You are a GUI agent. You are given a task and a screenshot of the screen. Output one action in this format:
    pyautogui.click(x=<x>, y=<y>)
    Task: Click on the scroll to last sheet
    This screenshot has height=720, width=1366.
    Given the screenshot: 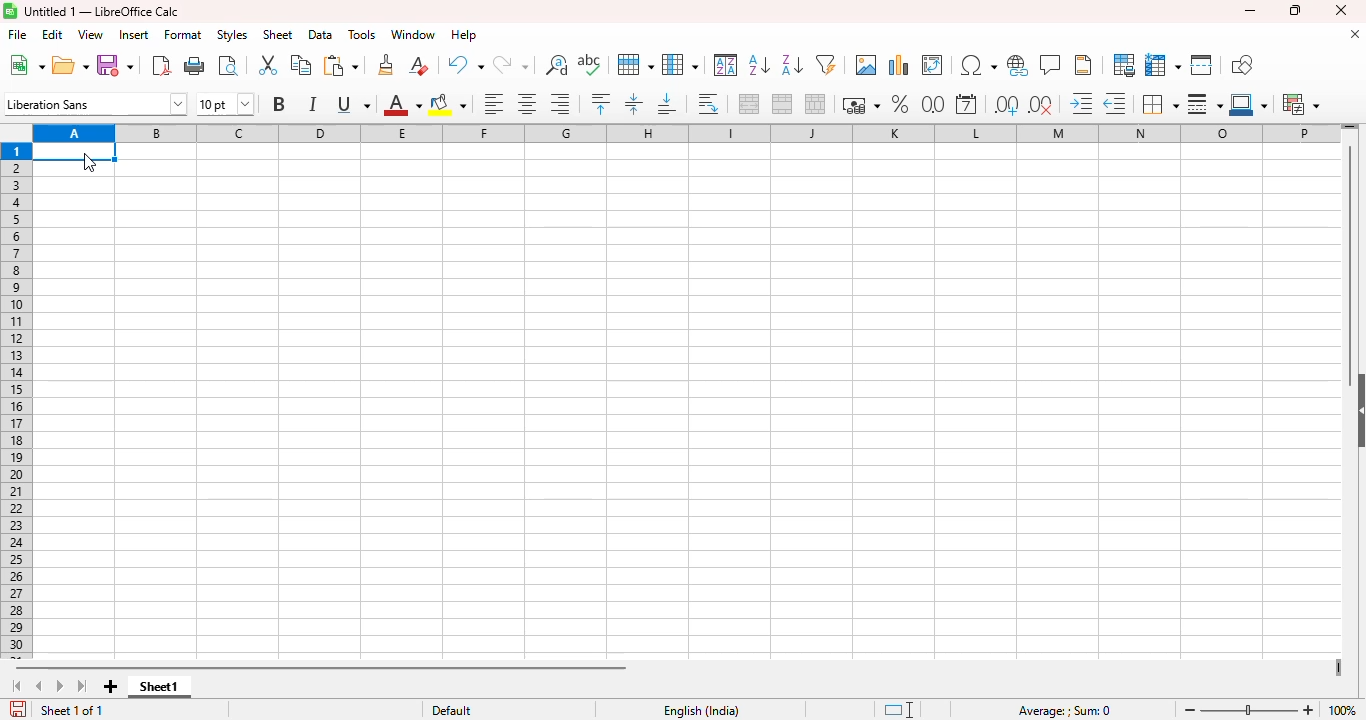 What is the action you would take?
    pyautogui.click(x=83, y=686)
    